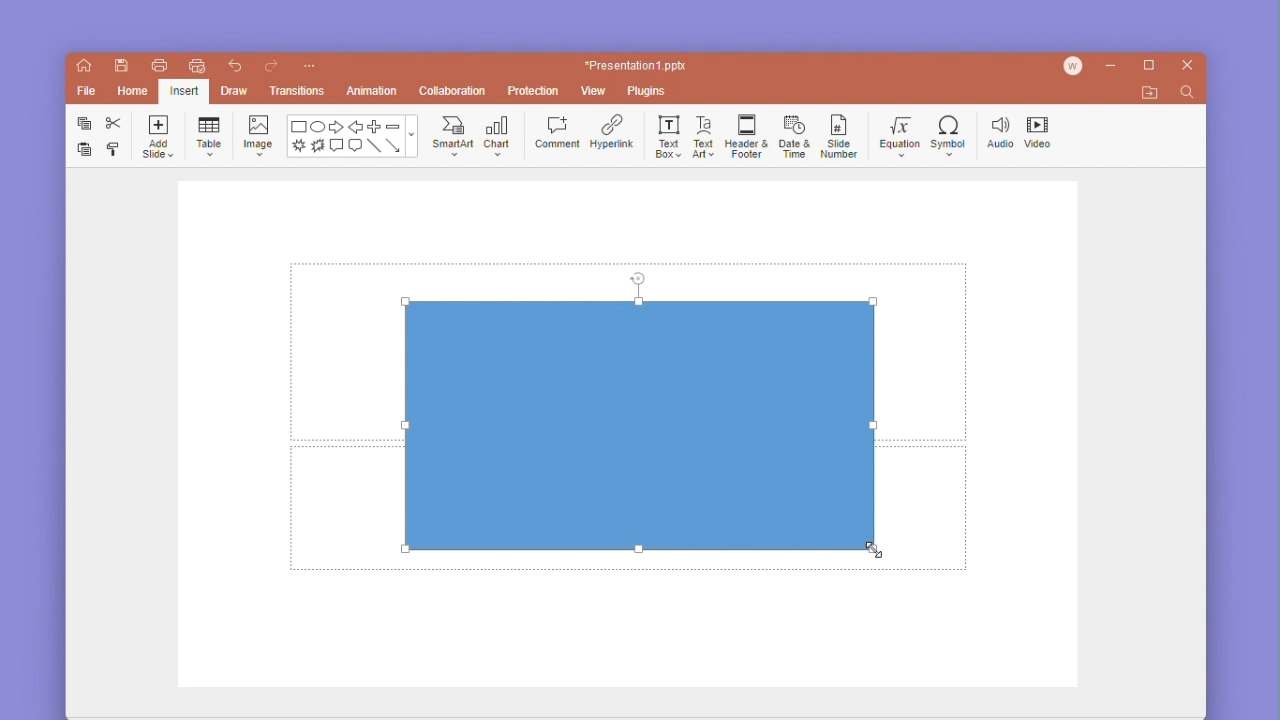 Image resolution: width=1280 pixels, height=720 pixels. What do you see at coordinates (113, 150) in the screenshot?
I see `format painter` at bounding box center [113, 150].